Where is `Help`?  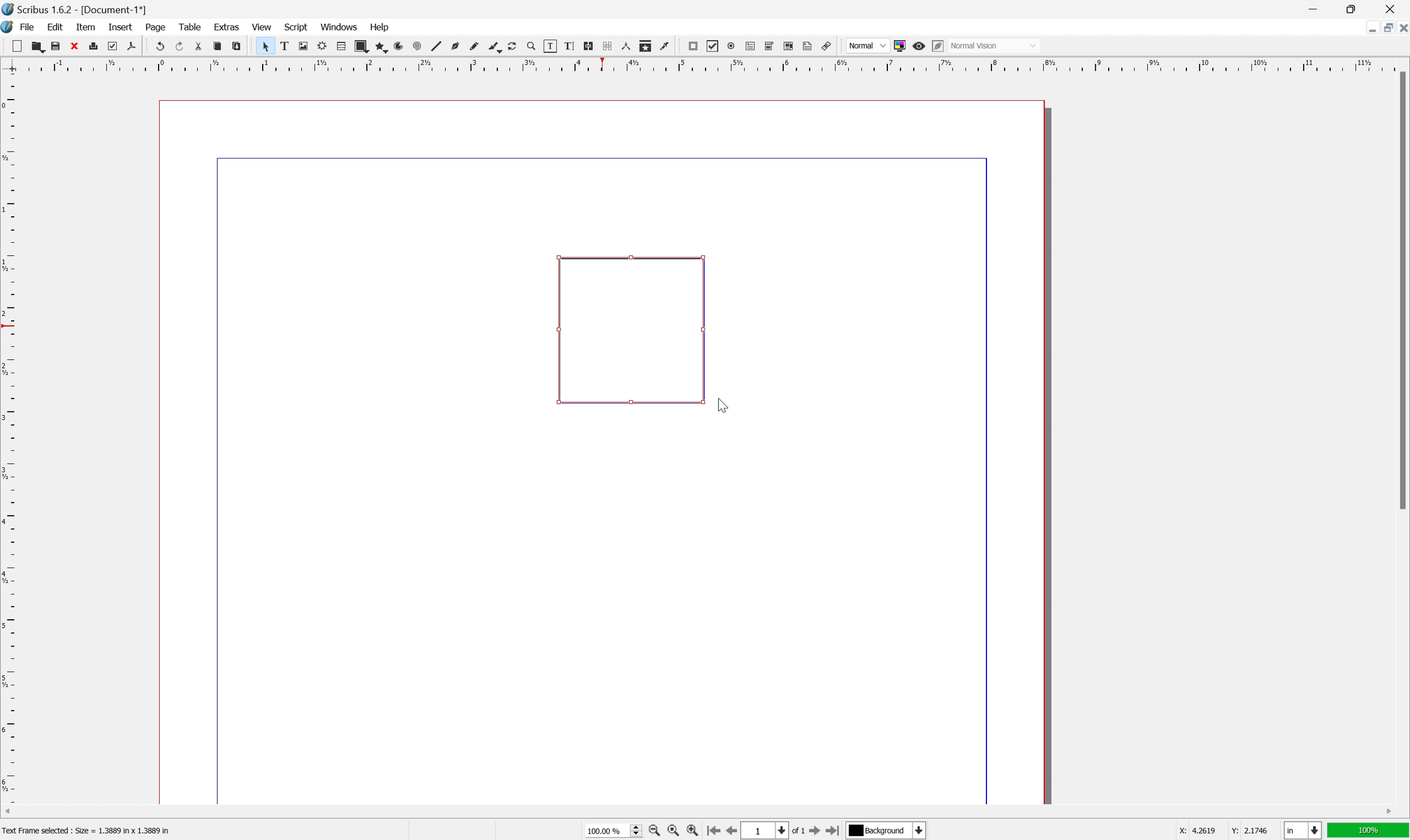 Help is located at coordinates (381, 28).